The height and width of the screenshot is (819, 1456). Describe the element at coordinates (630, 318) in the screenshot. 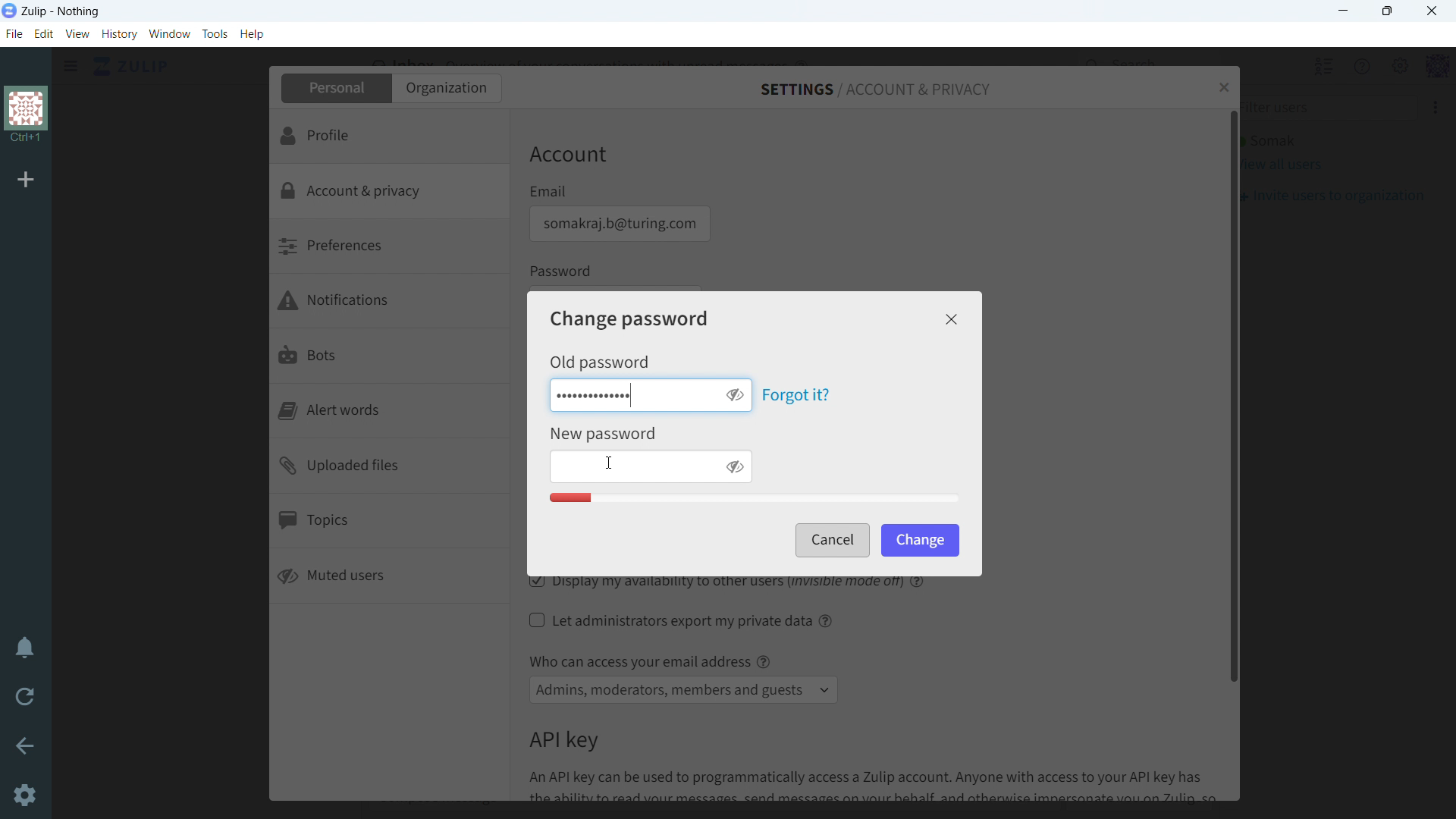

I see `change password` at that location.